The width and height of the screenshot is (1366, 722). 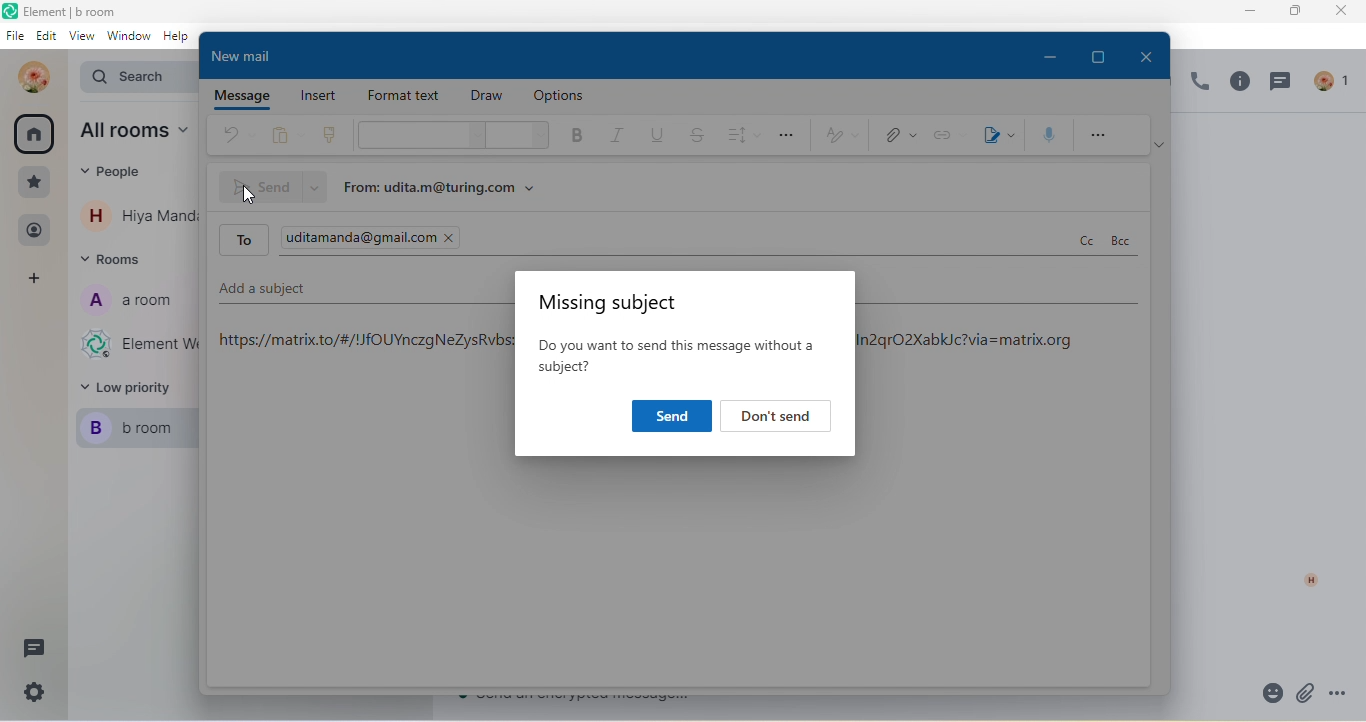 I want to click on maximize, so click(x=1291, y=12).